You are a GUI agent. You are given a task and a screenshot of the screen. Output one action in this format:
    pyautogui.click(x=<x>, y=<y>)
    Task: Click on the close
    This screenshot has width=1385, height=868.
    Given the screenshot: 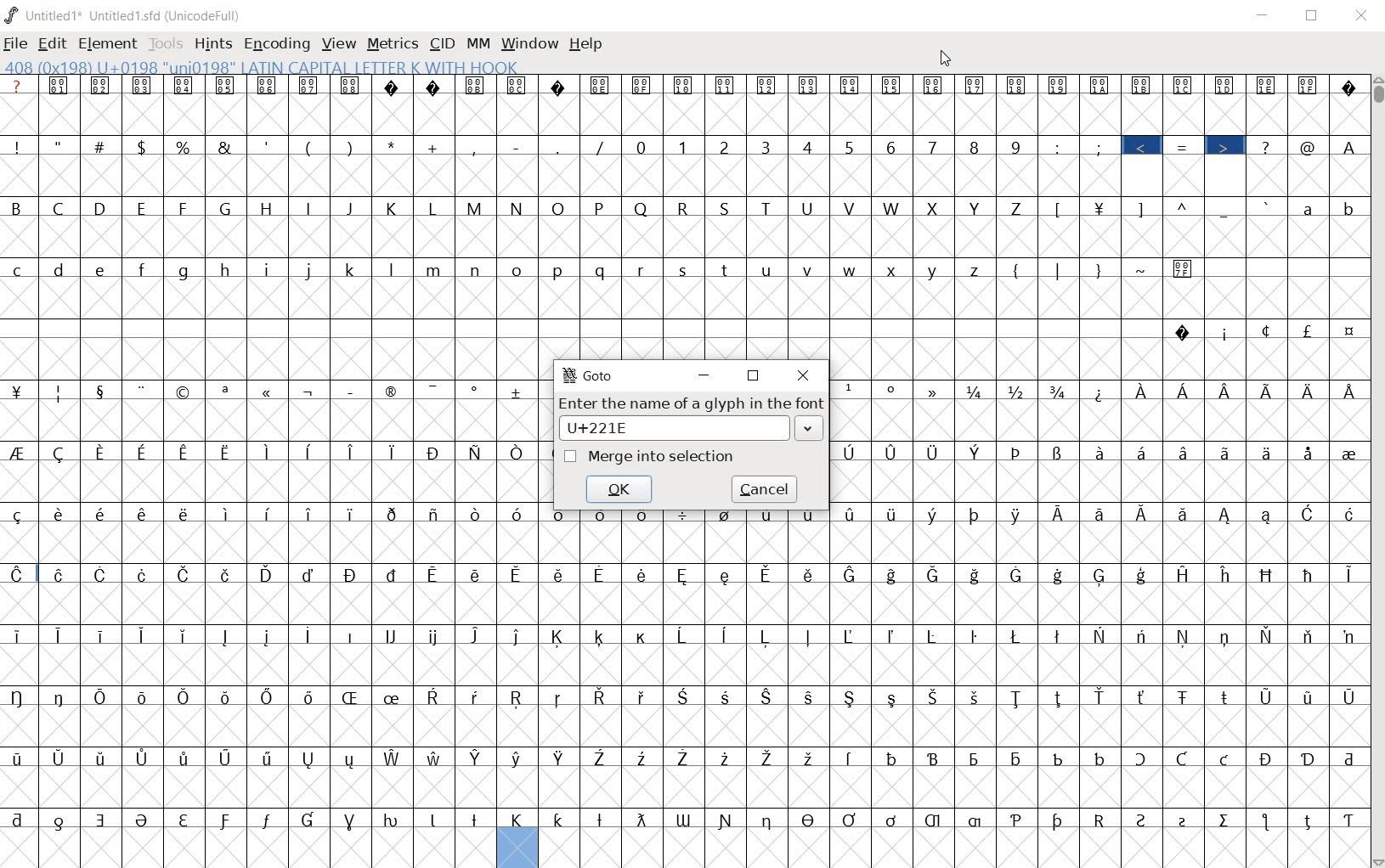 What is the action you would take?
    pyautogui.click(x=1363, y=16)
    